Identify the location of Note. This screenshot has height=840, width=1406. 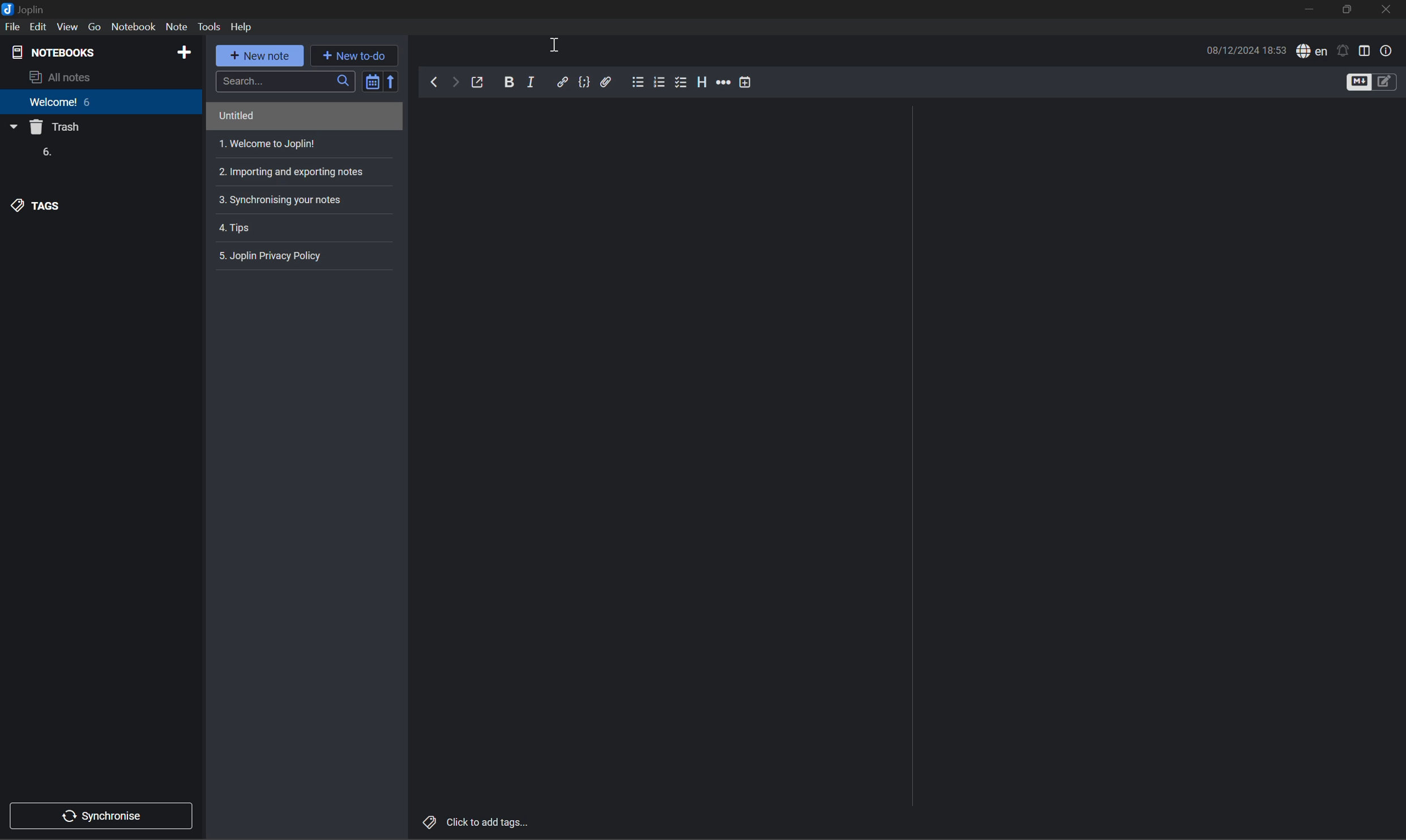
(176, 27).